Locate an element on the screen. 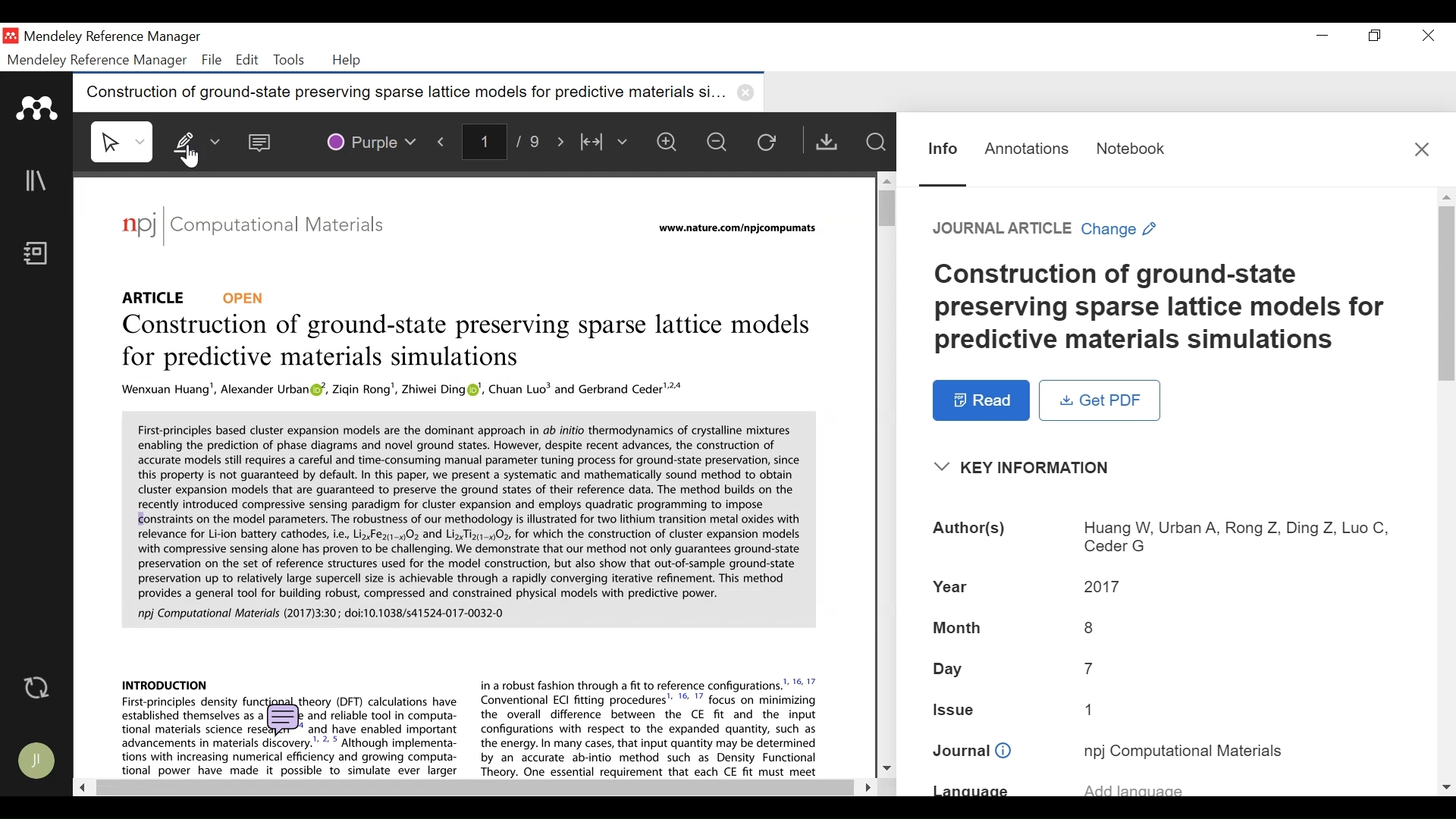 This screenshot has width=1456, height=819. Month is located at coordinates (958, 629).